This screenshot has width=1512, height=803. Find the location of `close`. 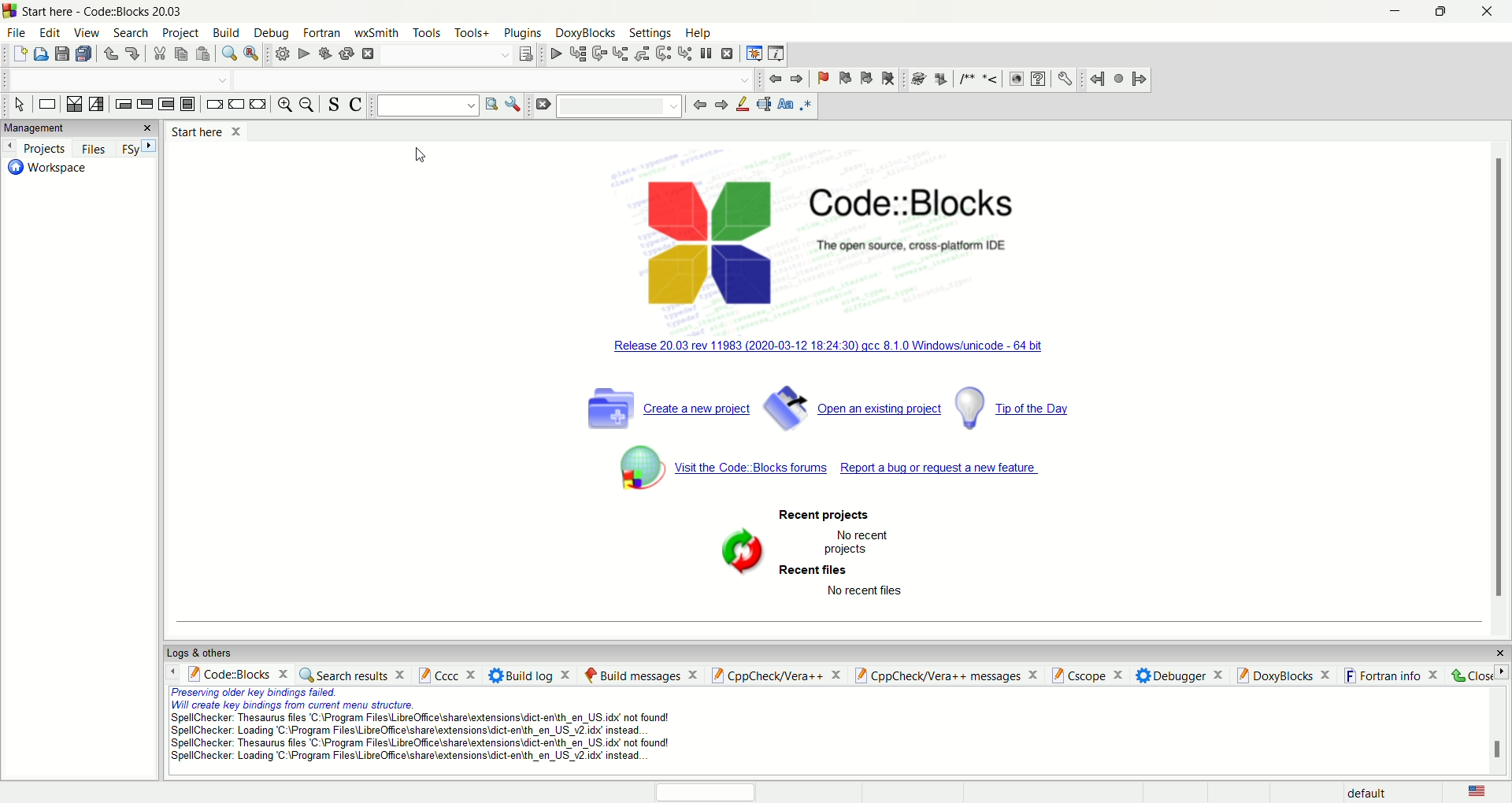

close is located at coordinates (1480, 675).